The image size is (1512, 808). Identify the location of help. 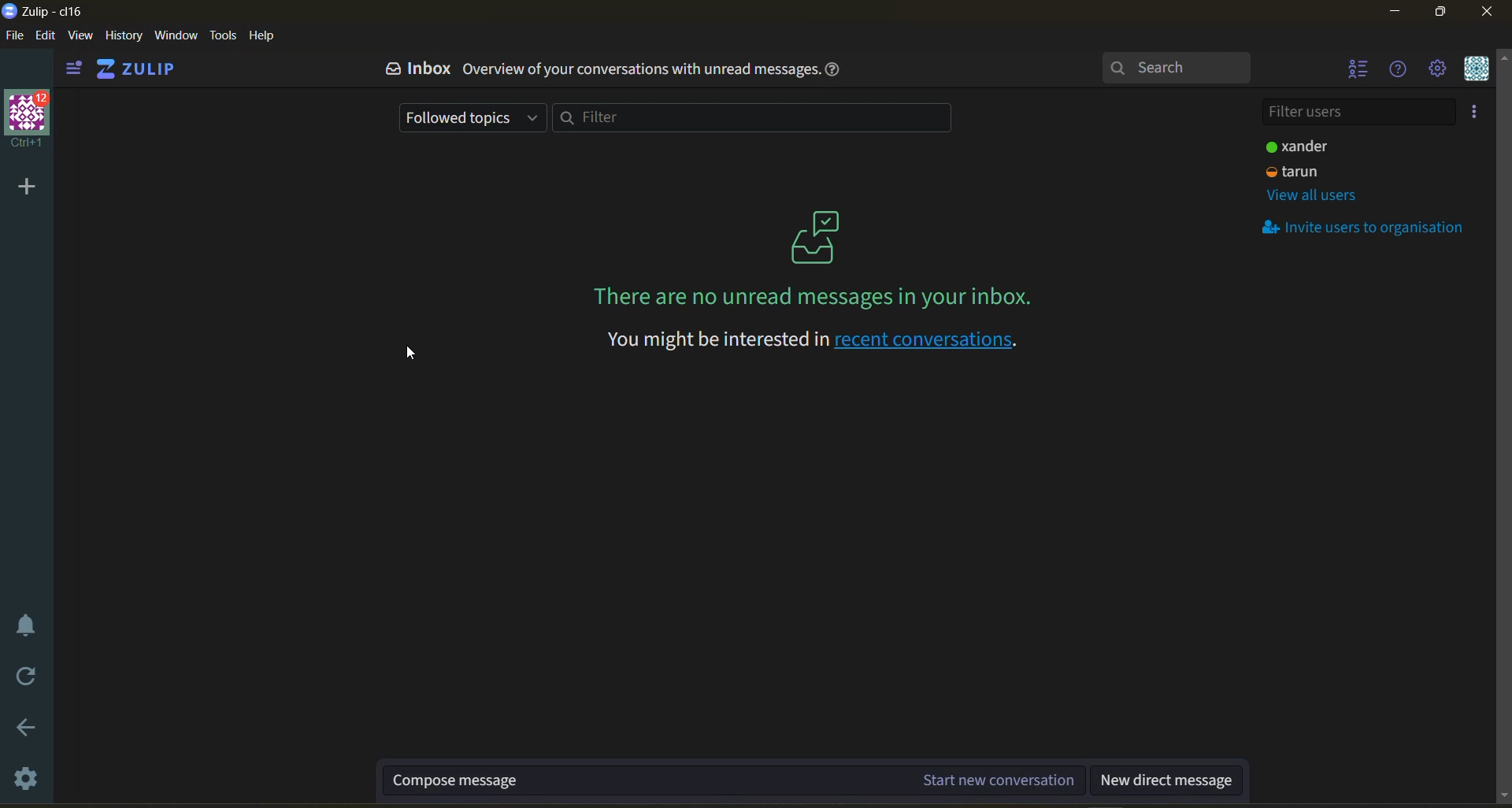
(268, 35).